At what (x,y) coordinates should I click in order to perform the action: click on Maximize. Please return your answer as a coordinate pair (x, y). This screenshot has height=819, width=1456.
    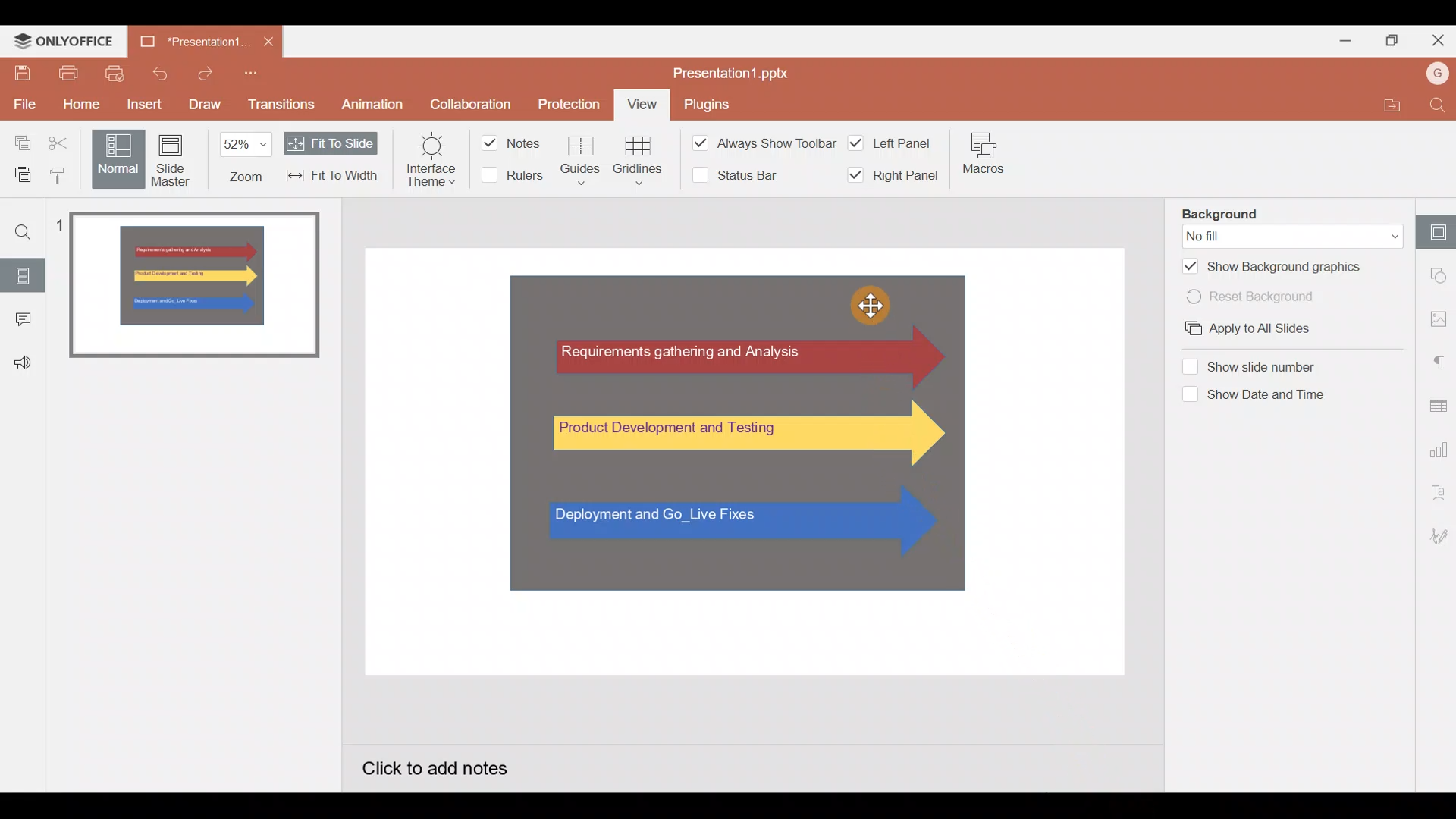
    Looking at the image, I should click on (1393, 42).